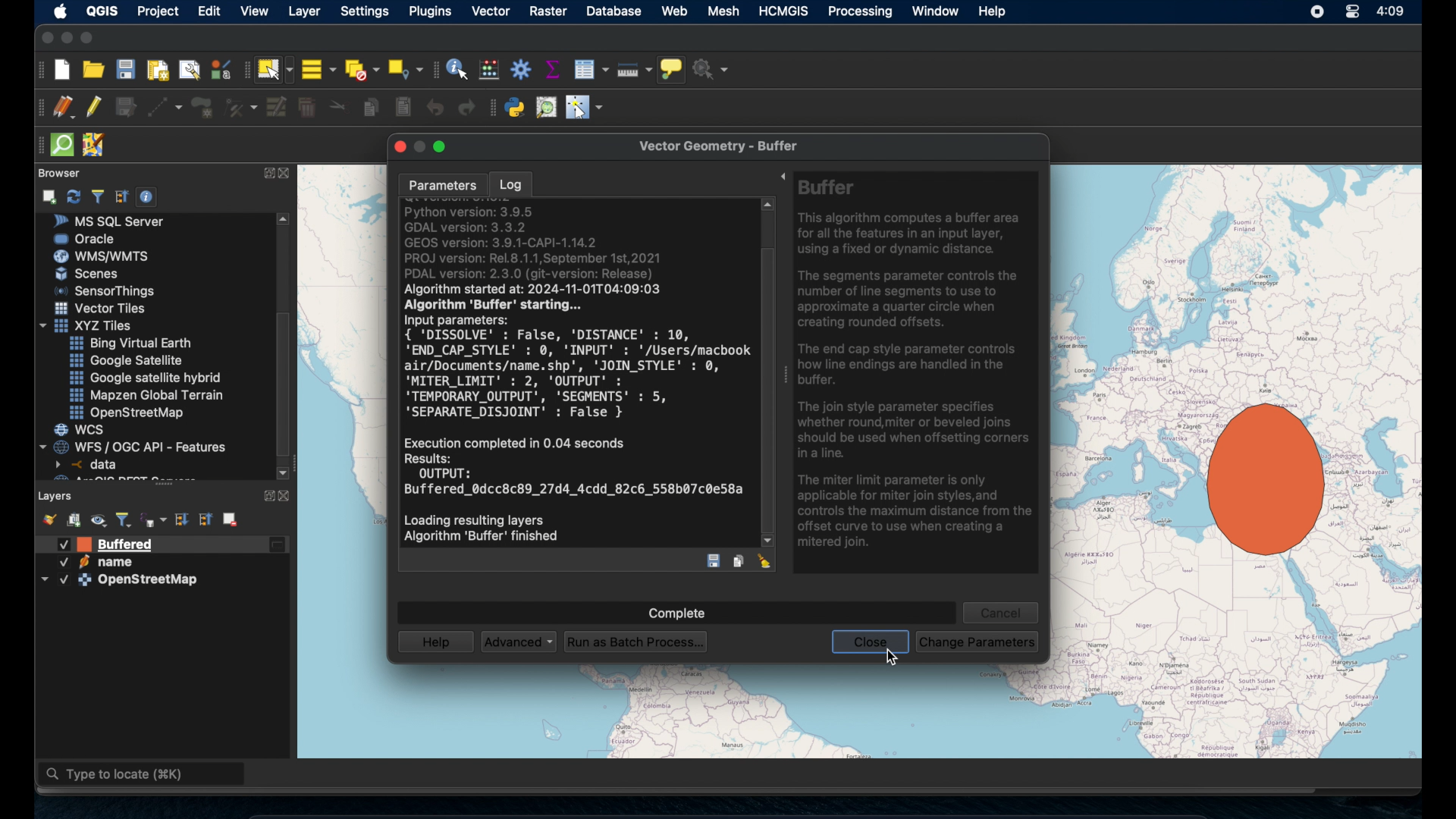 The image size is (1456, 819). I want to click on paste features, so click(403, 106).